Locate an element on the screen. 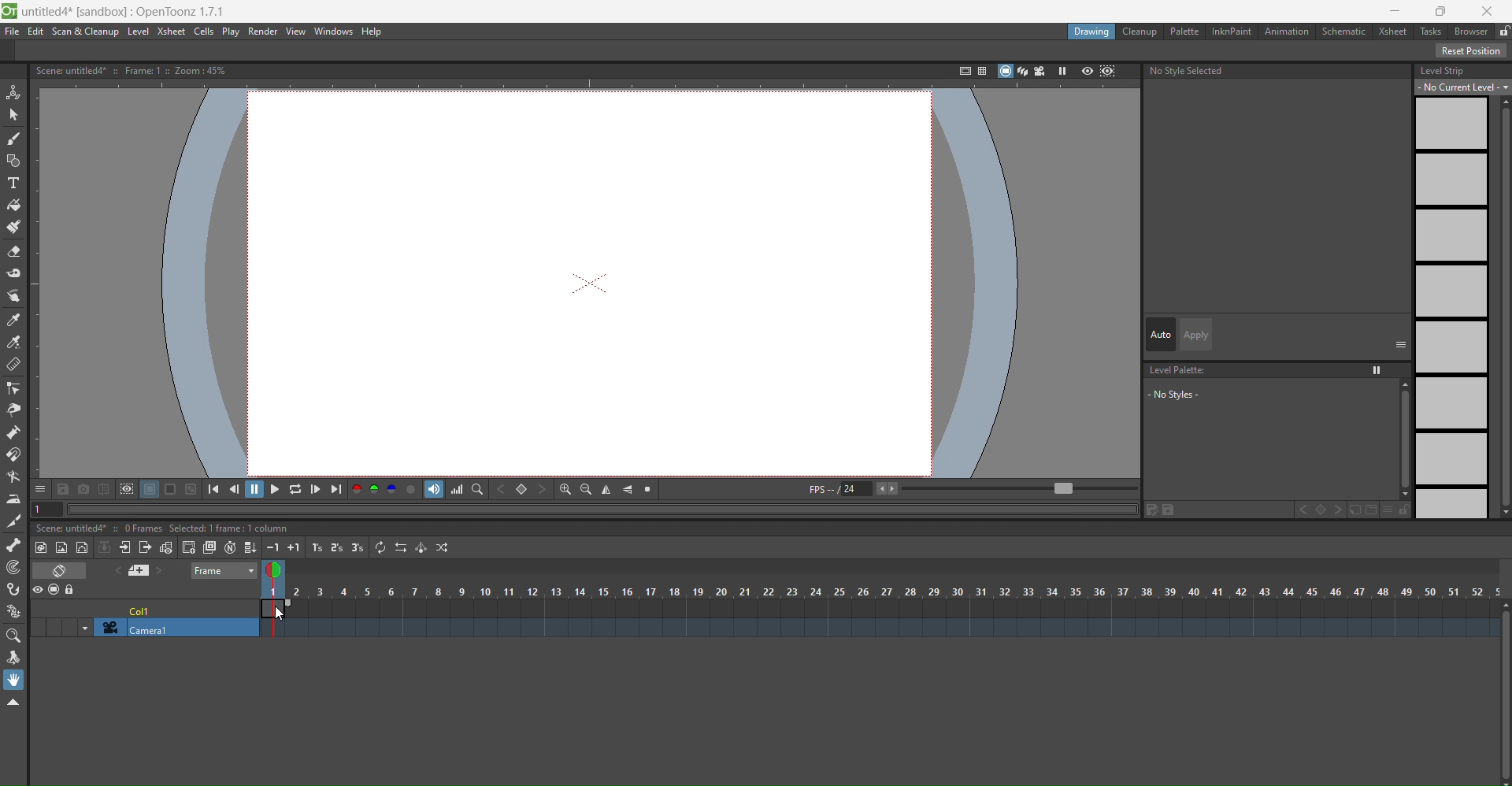  options is located at coordinates (40, 488).